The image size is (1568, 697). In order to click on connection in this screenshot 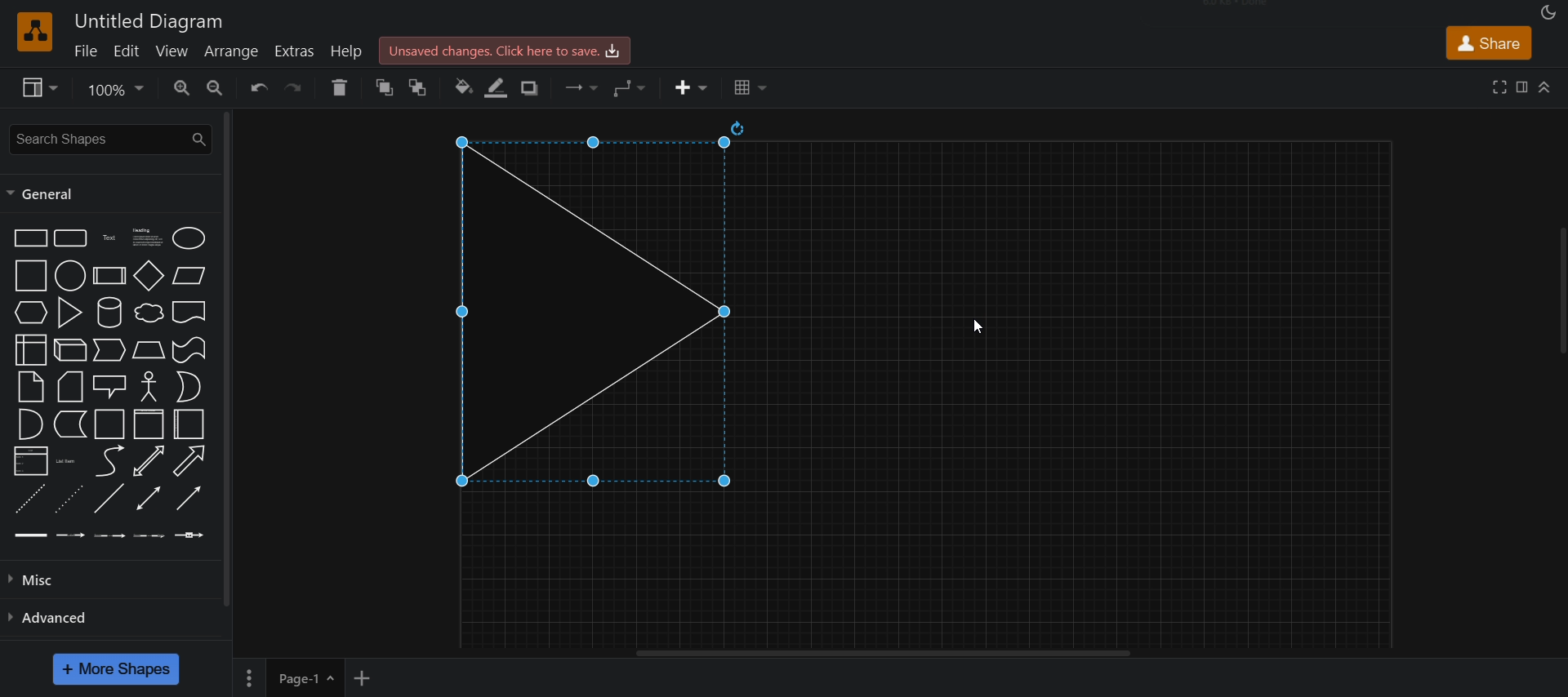, I will do `click(581, 87)`.